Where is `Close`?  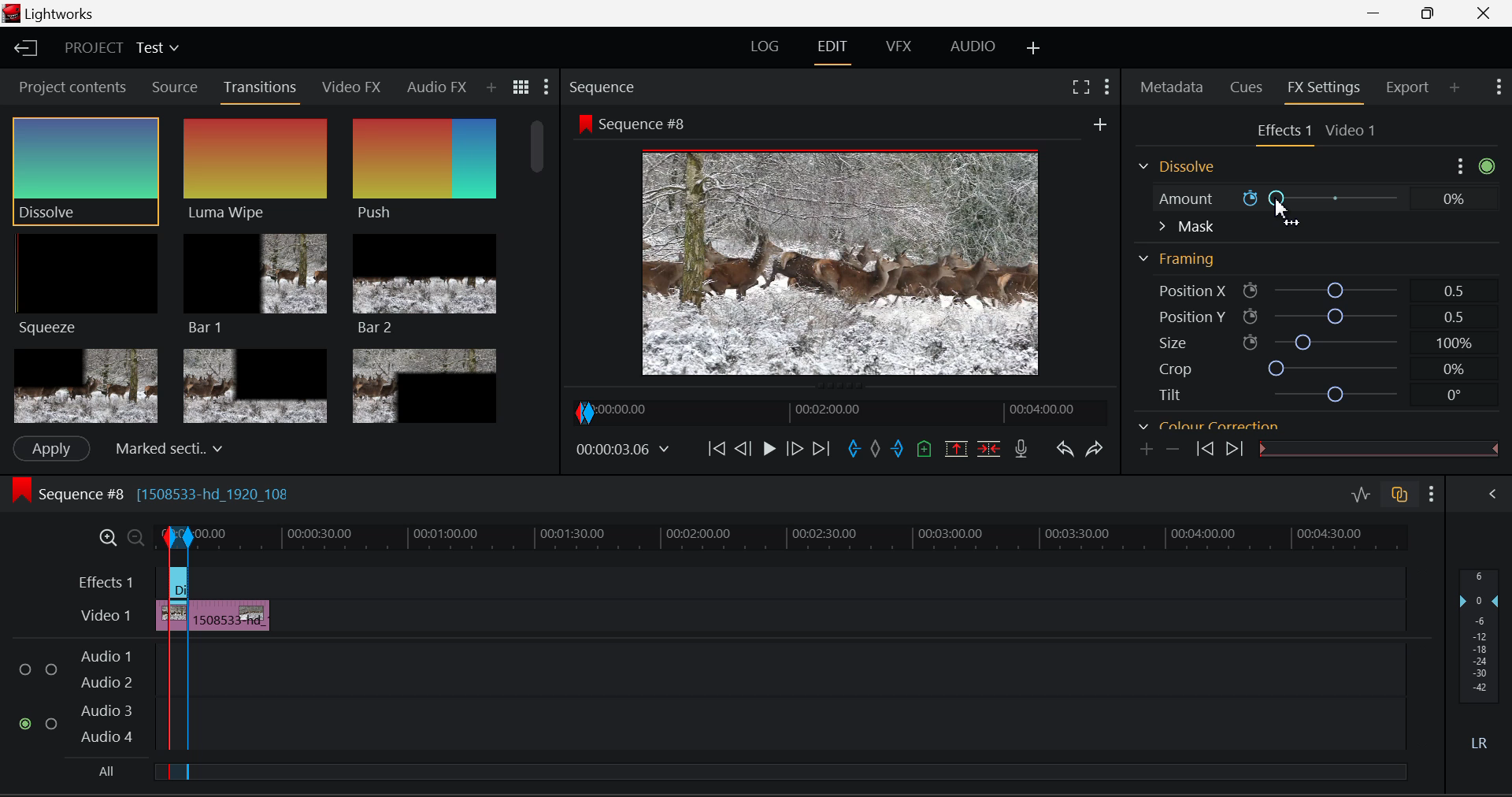
Close is located at coordinates (1485, 13).